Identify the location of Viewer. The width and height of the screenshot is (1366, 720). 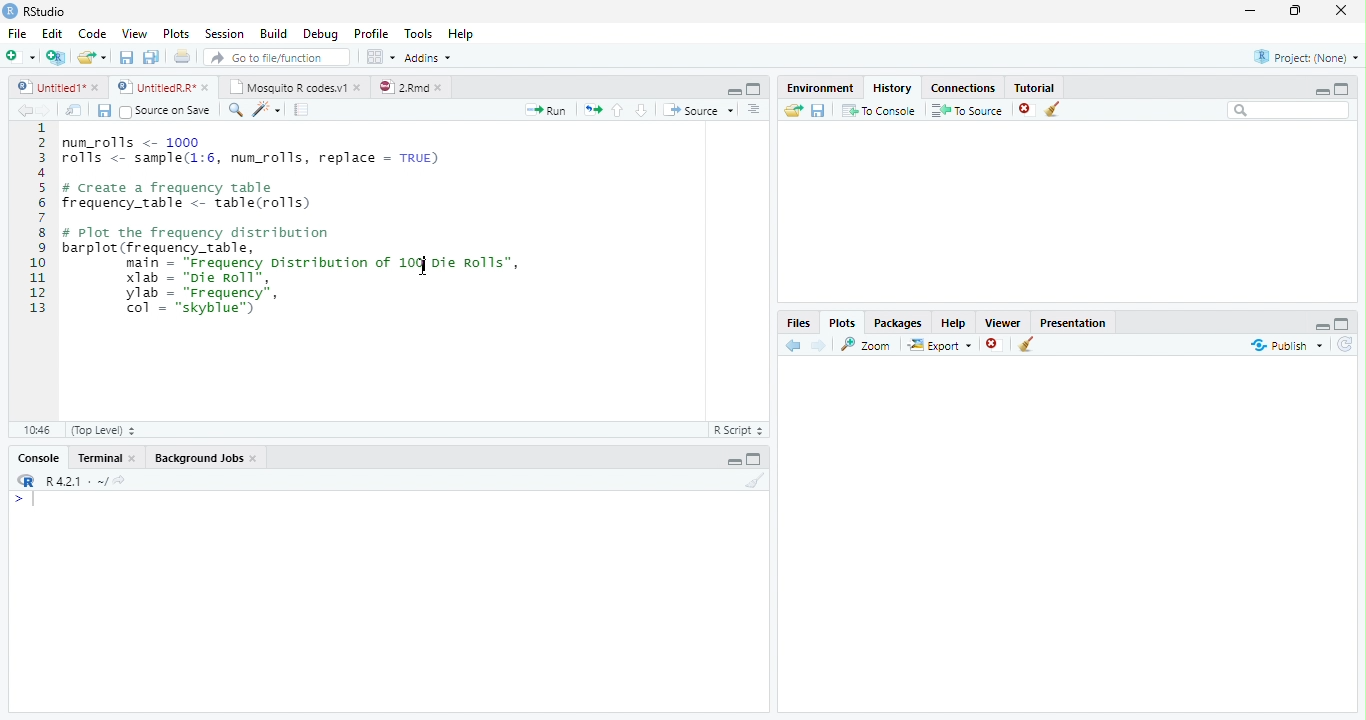
(1002, 321).